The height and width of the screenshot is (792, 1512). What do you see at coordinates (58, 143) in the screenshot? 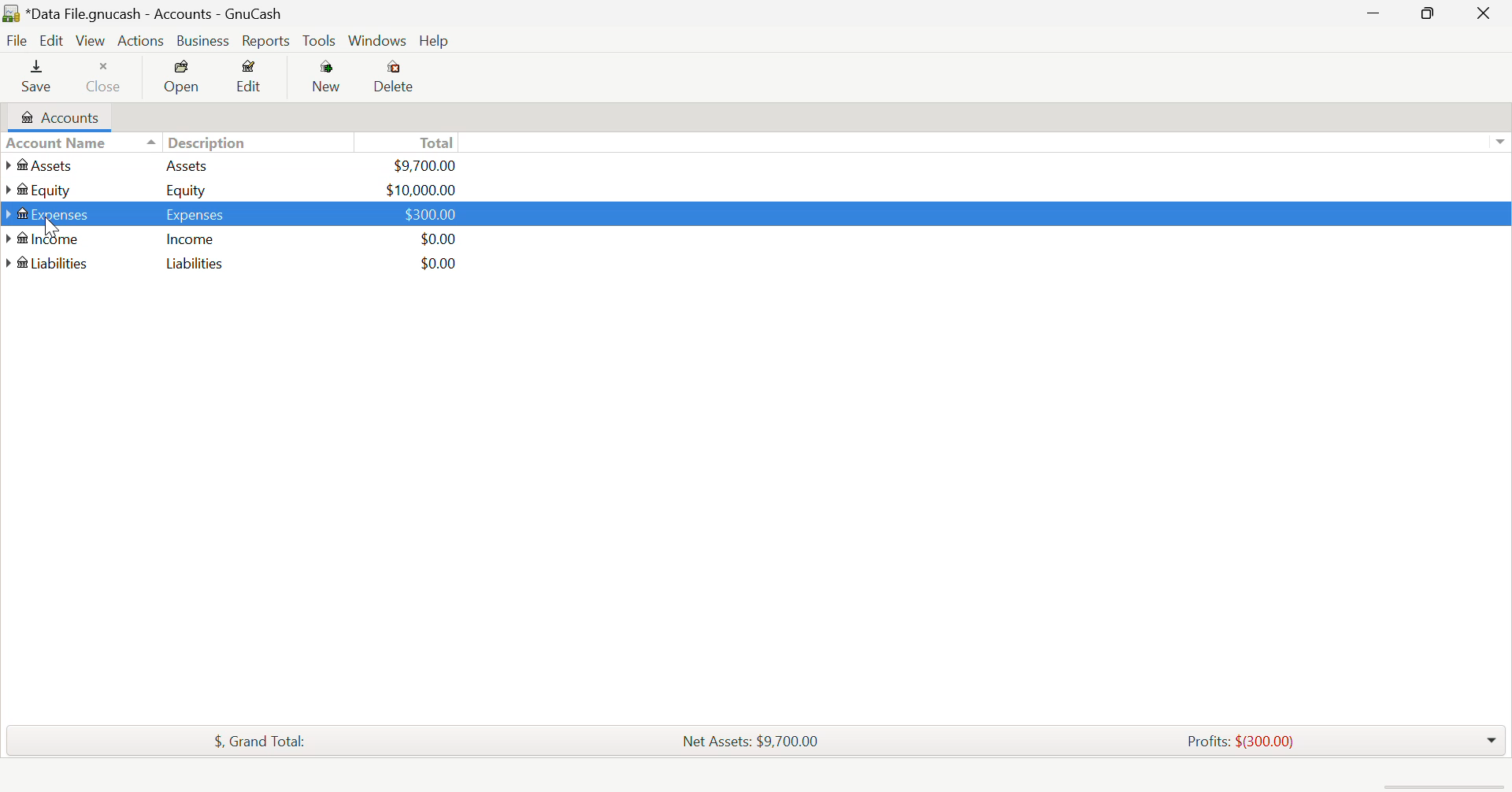
I see `Account Name` at bounding box center [58, 143].